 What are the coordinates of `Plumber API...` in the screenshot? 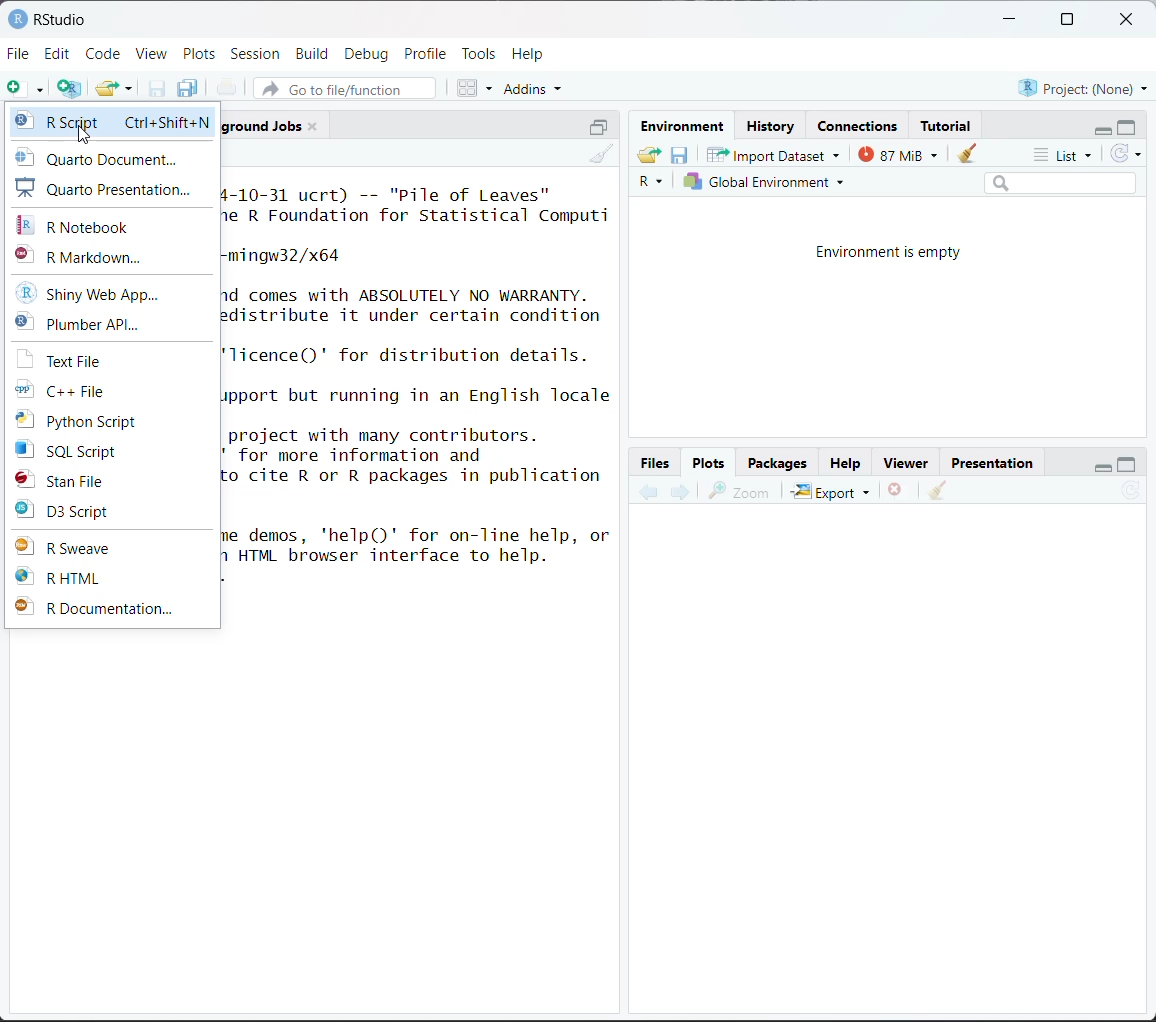 It's located at (82, 324).